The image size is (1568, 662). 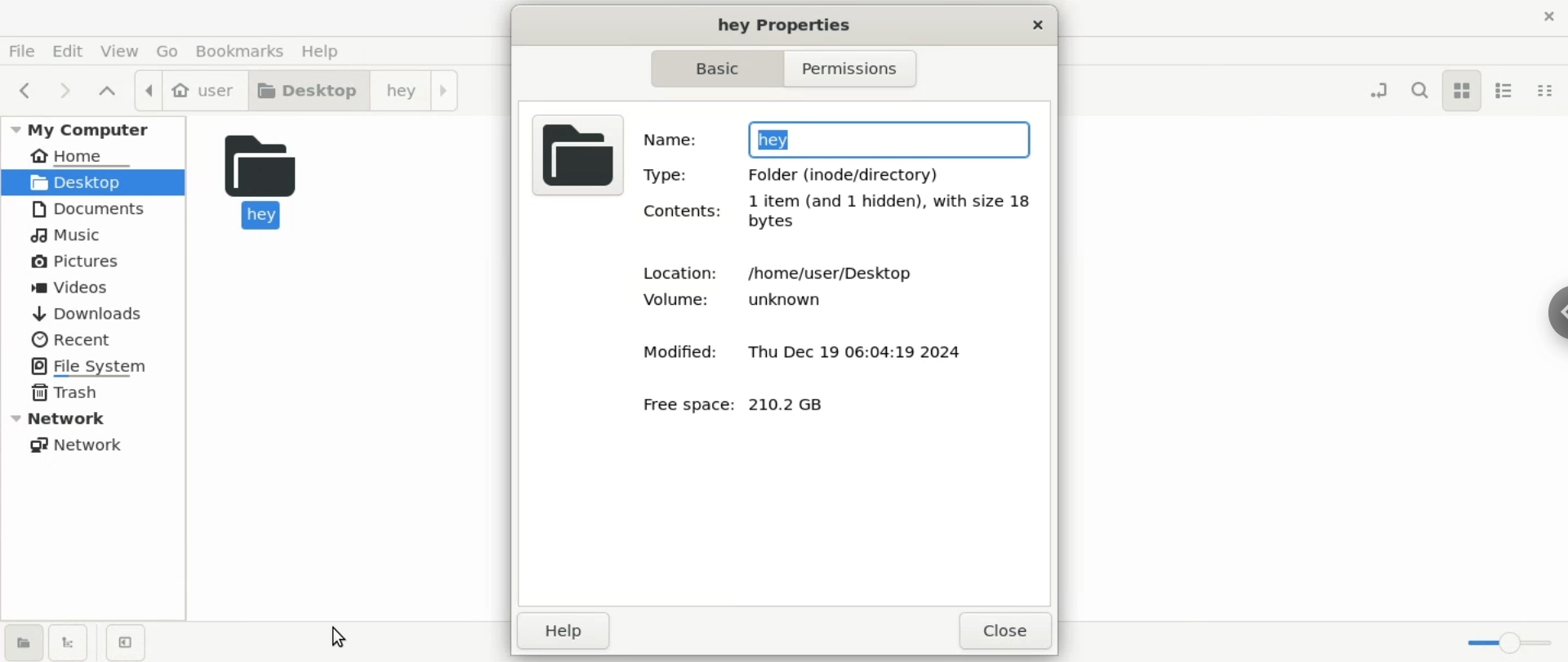 I want to click on my computer, so click(x=93, y=128).